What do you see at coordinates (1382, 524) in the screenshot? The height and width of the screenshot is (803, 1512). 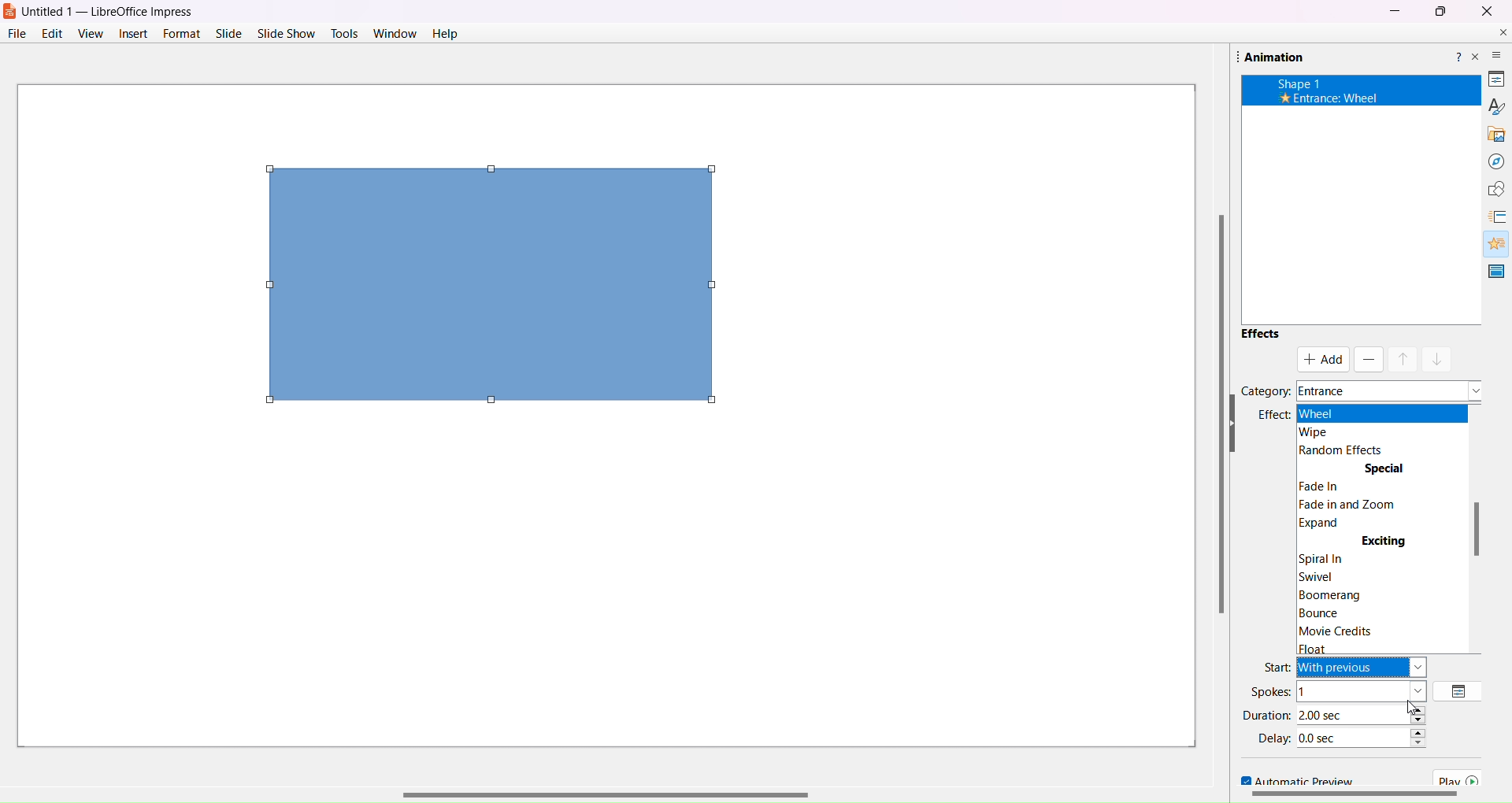 I see `te
Wipe
Random Effects
Special
Fade In
Fade in and Zoom
Expand
Exciting
Spiral In
Swivel
Boomerang
Bounce
Movie Credits
1` at bounding box center [1382, 524].